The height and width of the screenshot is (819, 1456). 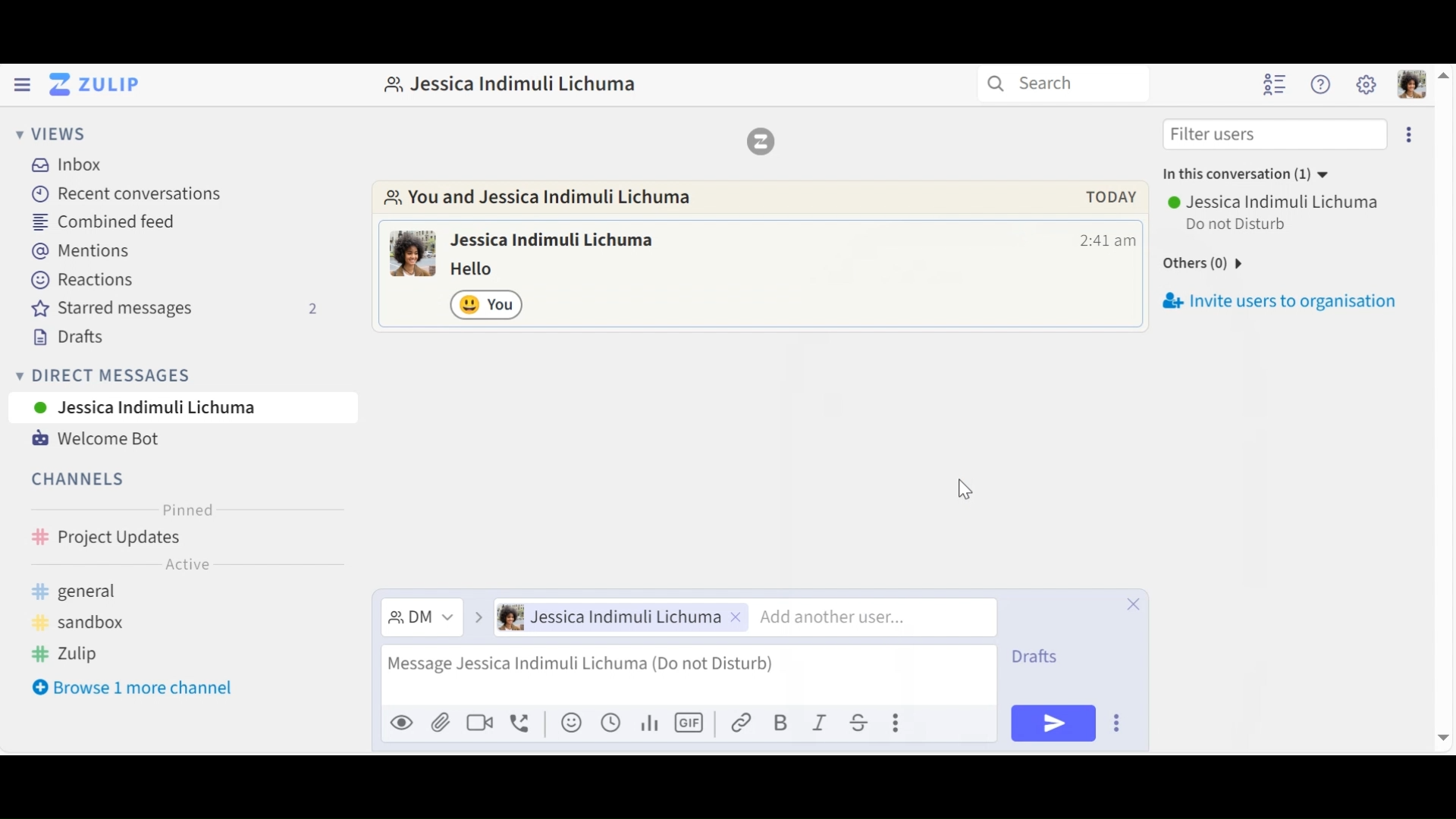 What do you see at coordinates (522, 724) in the screenshot?
I see `Add voice call` at bounding box center [522, 724].